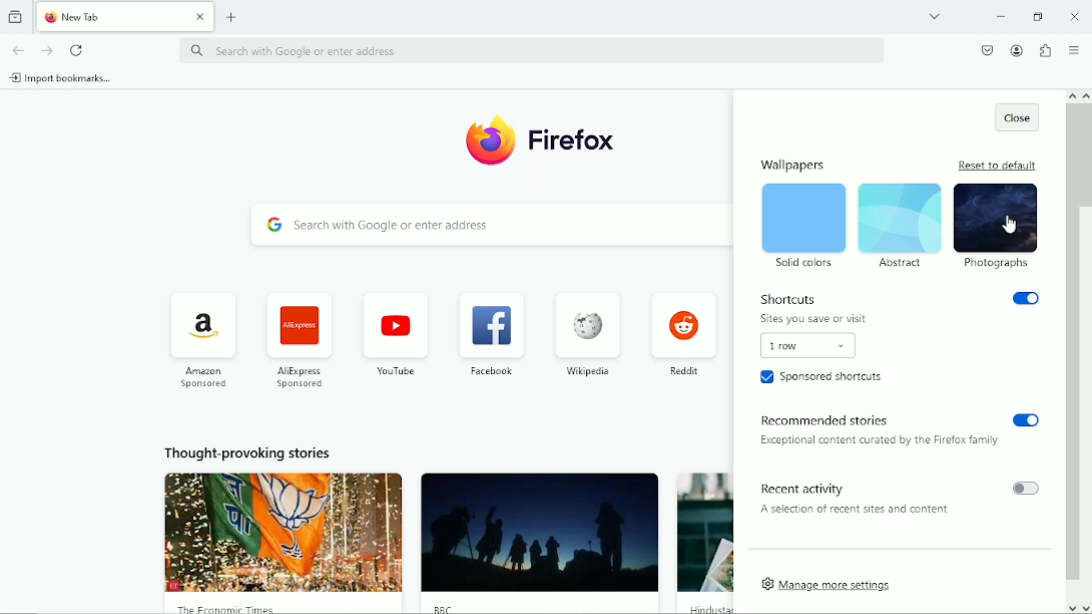  What do you see at coordinates (899, 486) in the screenshot?
I see `Recent activity` at bounding box center [899, 486].